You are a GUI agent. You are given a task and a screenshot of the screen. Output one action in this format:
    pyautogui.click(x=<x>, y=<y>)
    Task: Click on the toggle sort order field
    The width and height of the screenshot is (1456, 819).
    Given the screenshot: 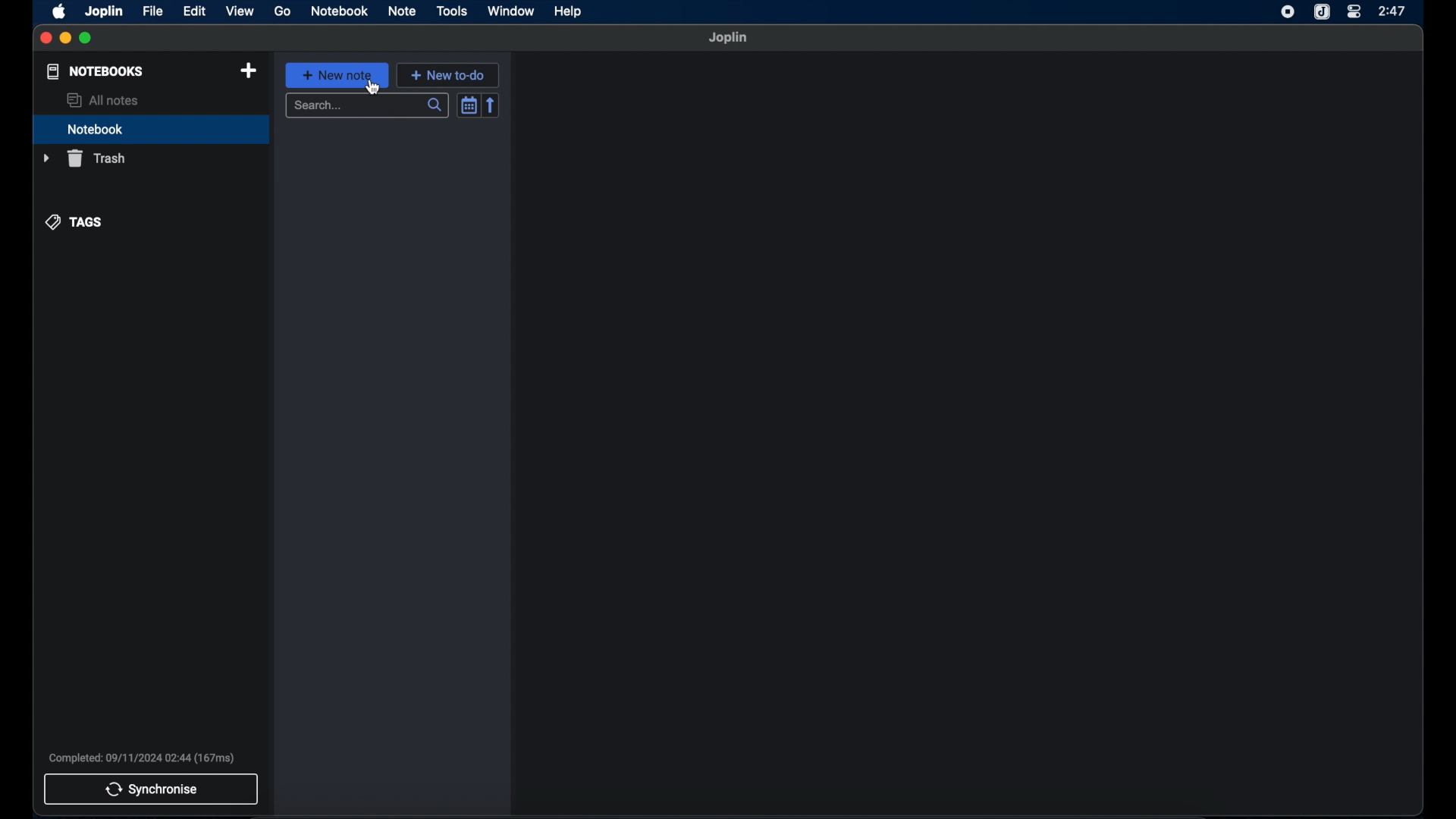 What is the action you would take?
    pyautogui.click(x=468, y=105)
    